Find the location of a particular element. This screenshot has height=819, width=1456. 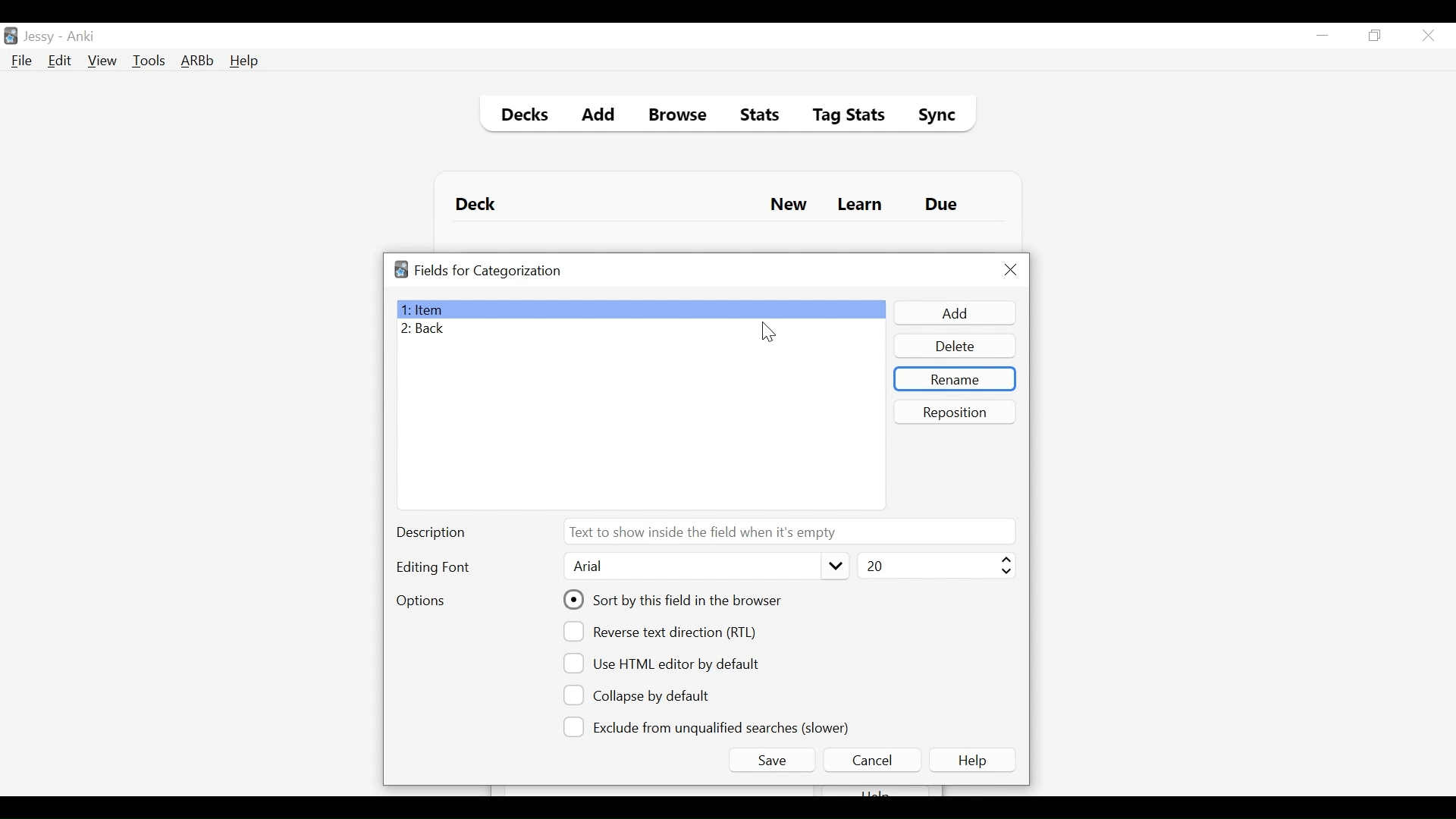

Item is located at coordinates (640, 309).